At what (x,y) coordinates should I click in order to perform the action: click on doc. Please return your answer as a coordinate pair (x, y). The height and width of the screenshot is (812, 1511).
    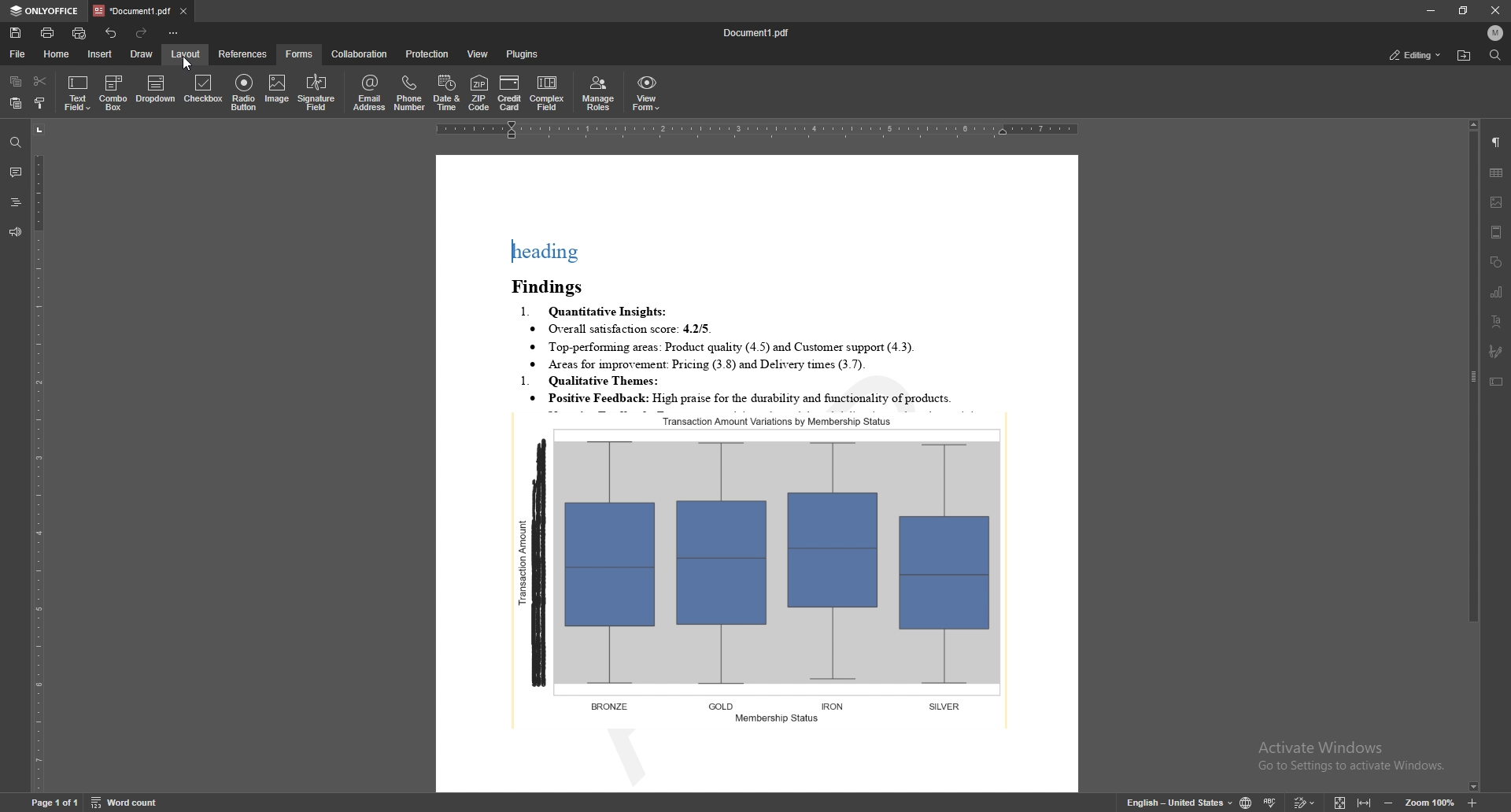
    Looking at the image, I should click on (758, 474).